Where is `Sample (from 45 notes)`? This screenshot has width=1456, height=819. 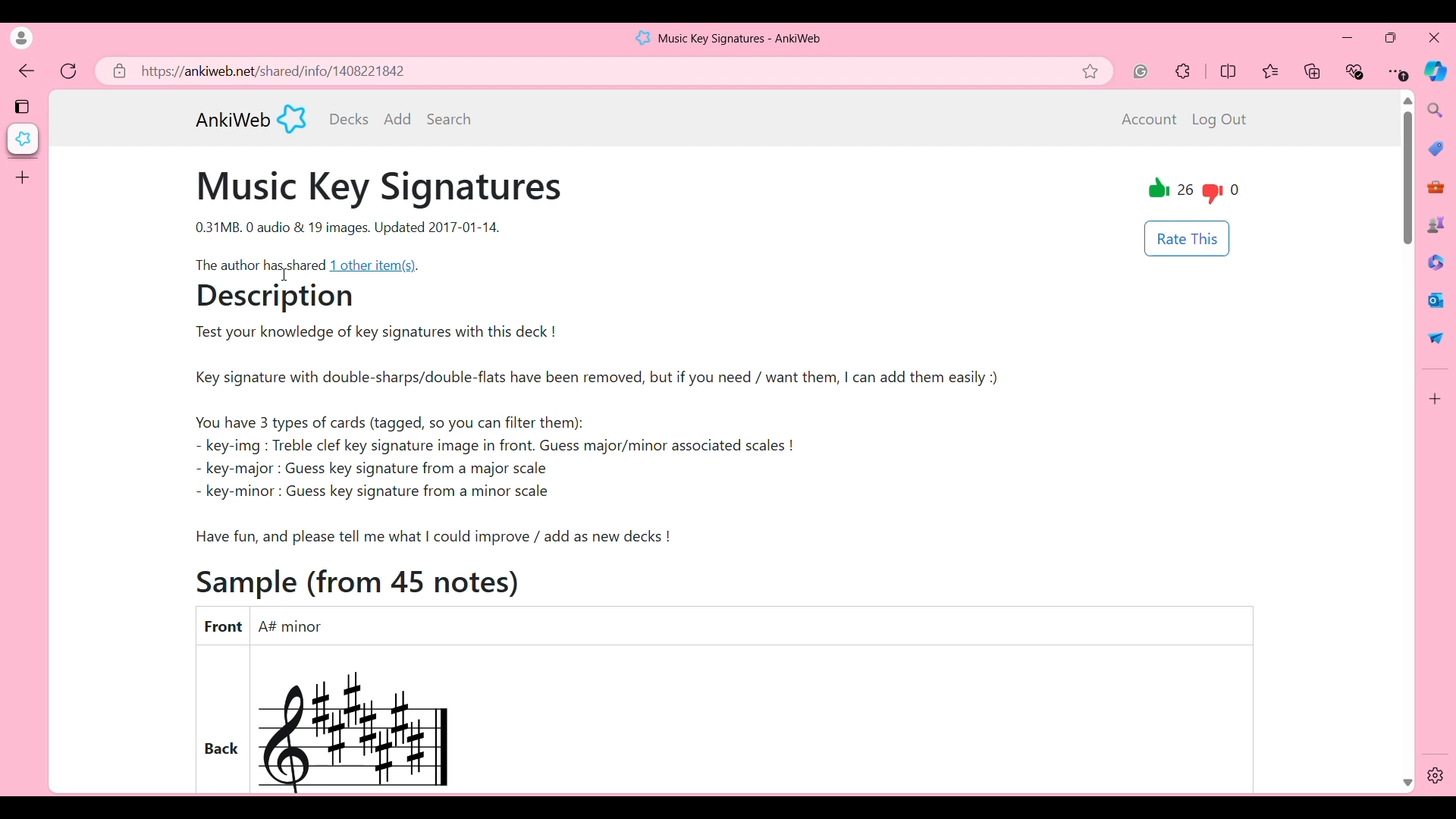 Sample (from 45 notes) is located at coordinates (362, 582).